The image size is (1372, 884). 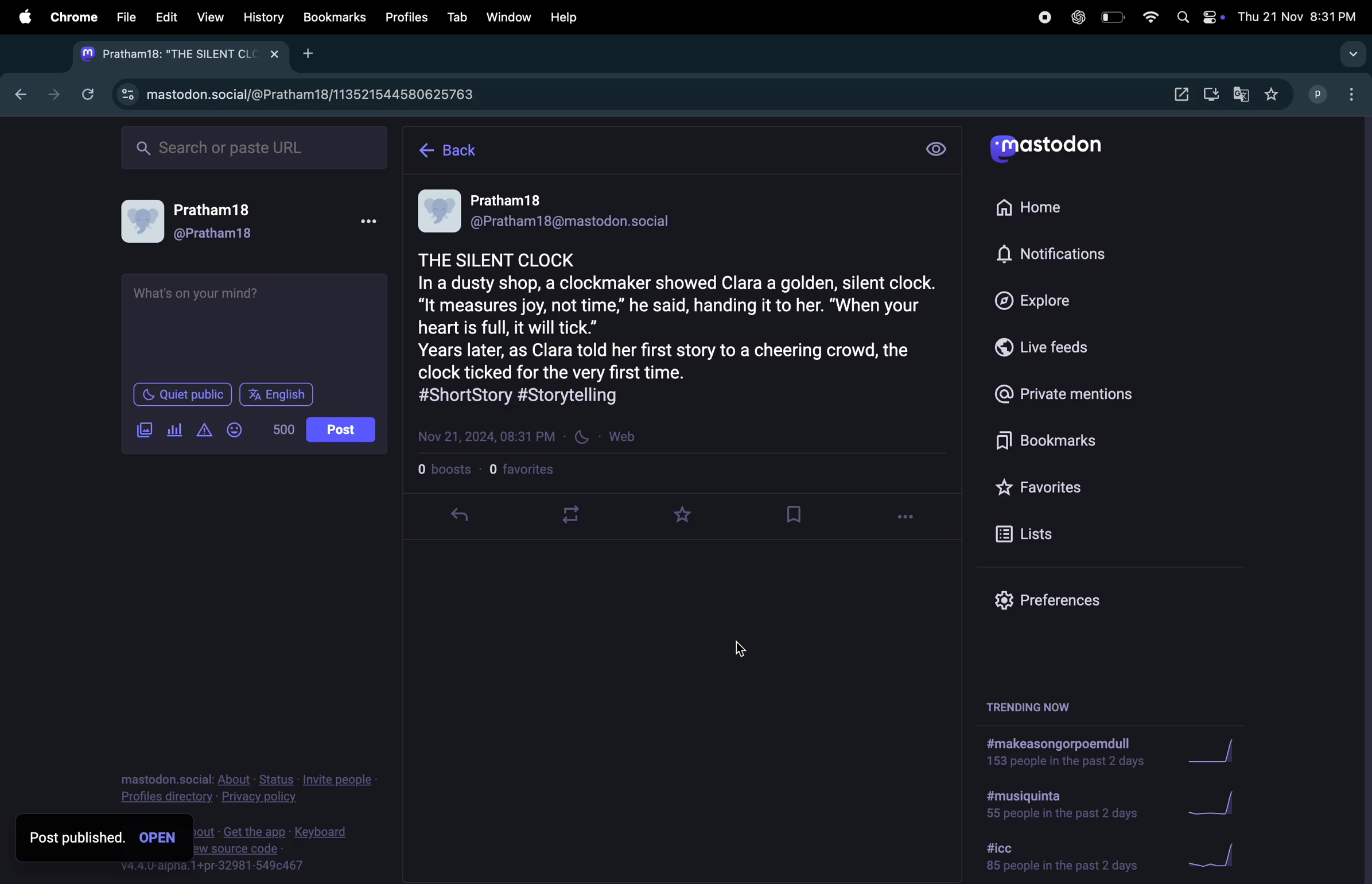 I want to click on add new tab, so click(x=314, y=55).